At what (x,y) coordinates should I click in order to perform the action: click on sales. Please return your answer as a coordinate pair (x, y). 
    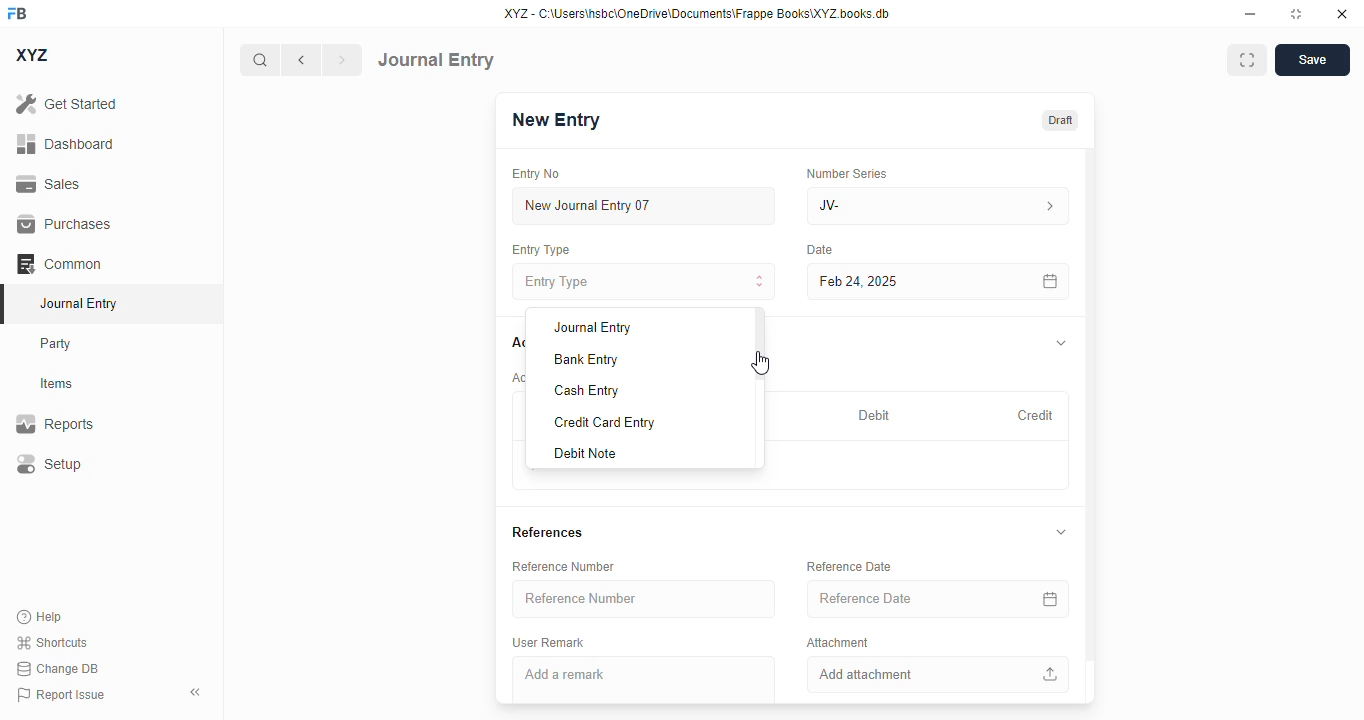
    Looking at the image, I should click on (48, 184).